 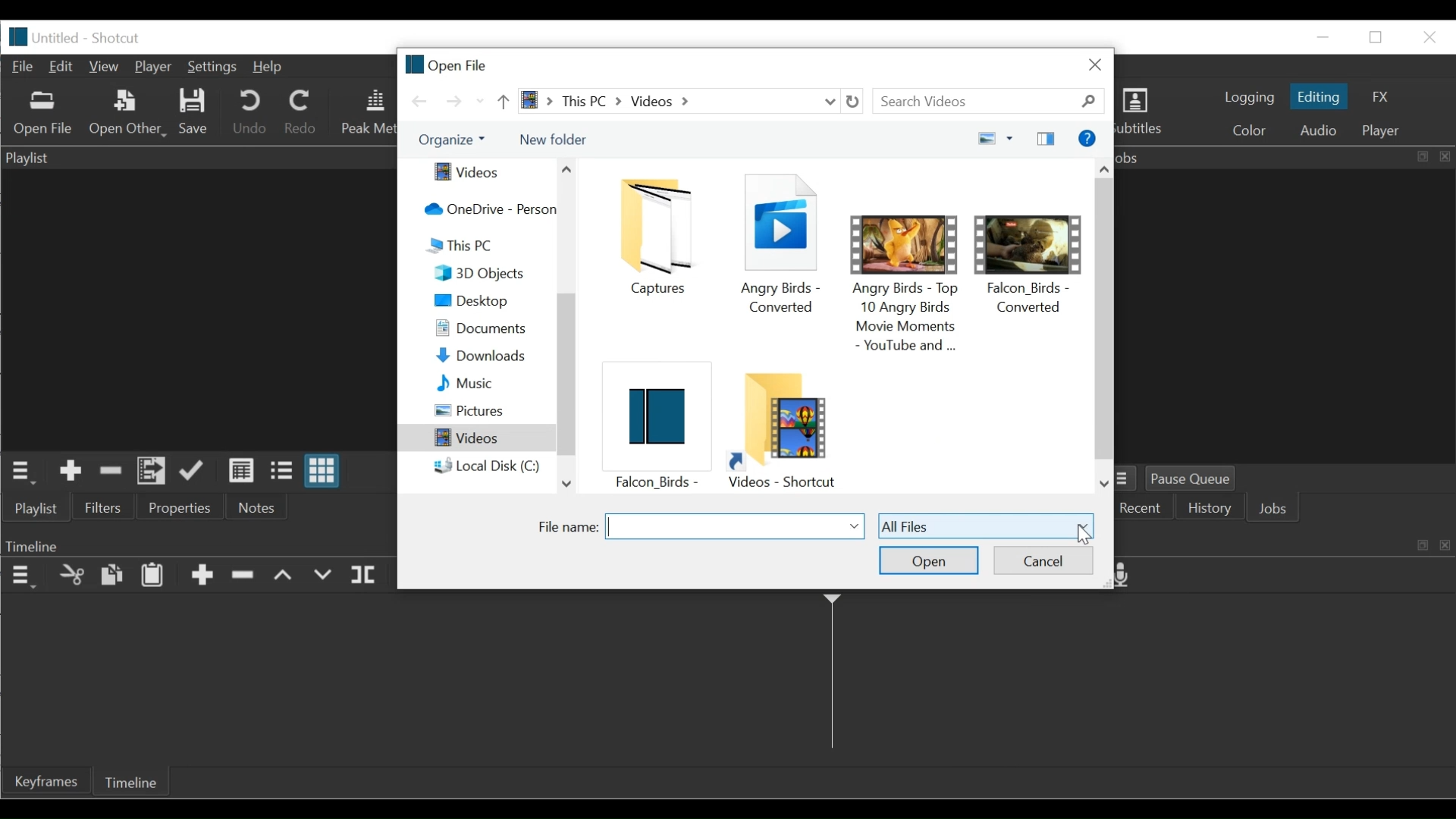 I want to click on Pause Queue, so click(x=1198, y=479).